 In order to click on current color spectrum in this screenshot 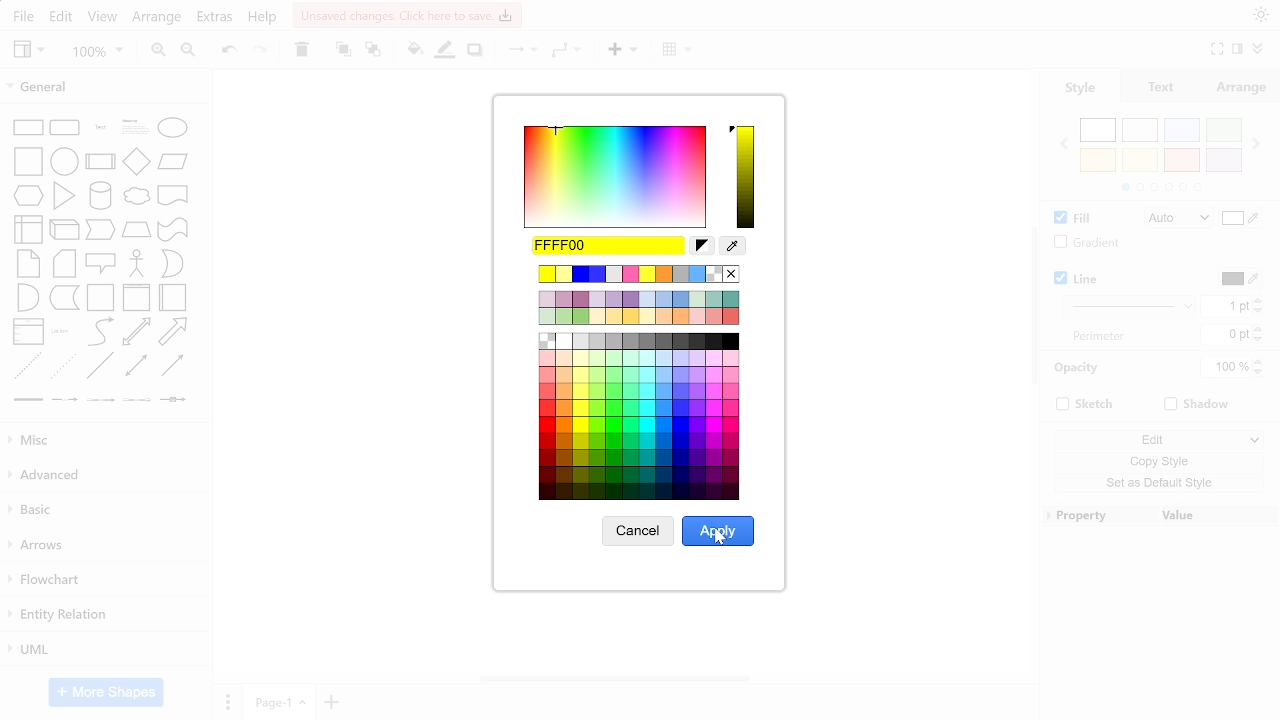, I will do `click(744, 176)`.